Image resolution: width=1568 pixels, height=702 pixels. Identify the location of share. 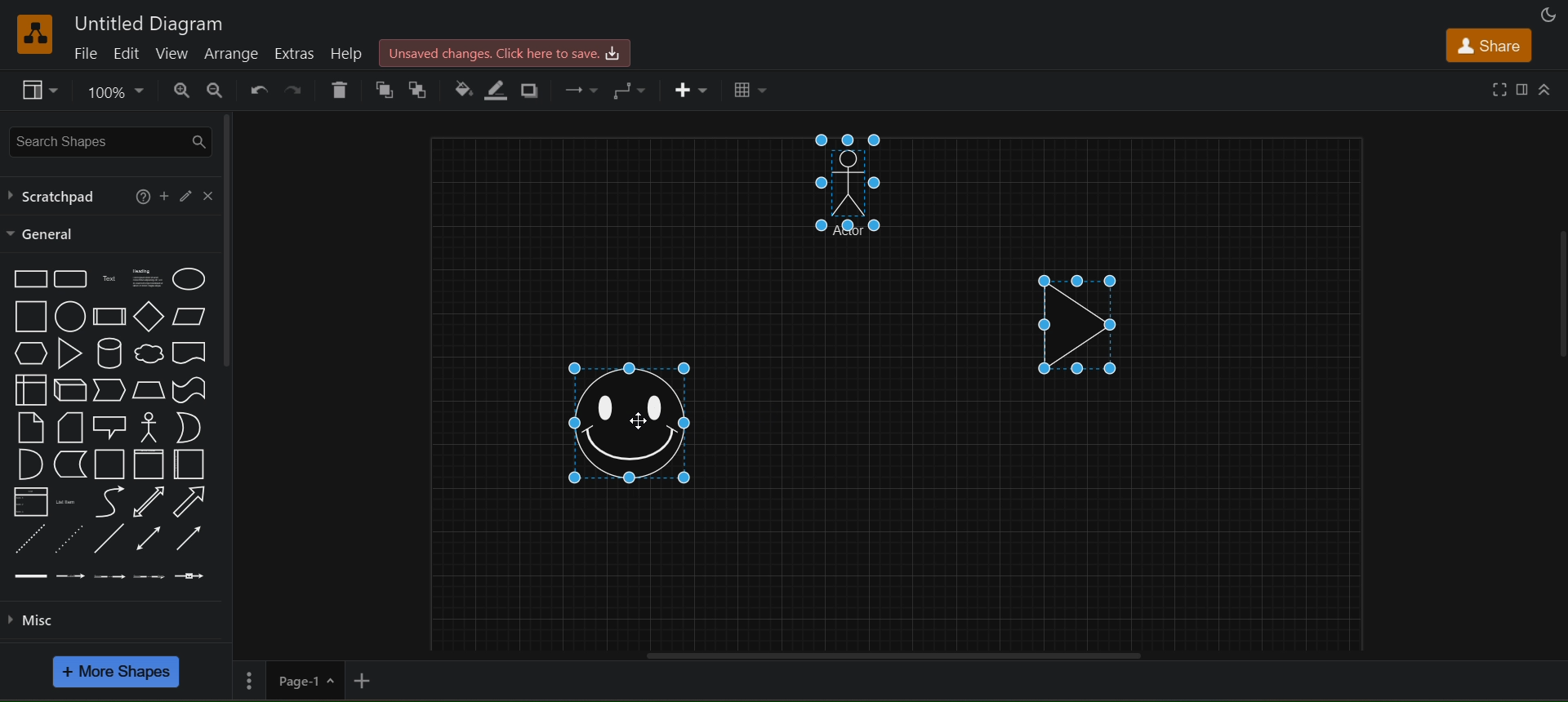
(1491, 45).